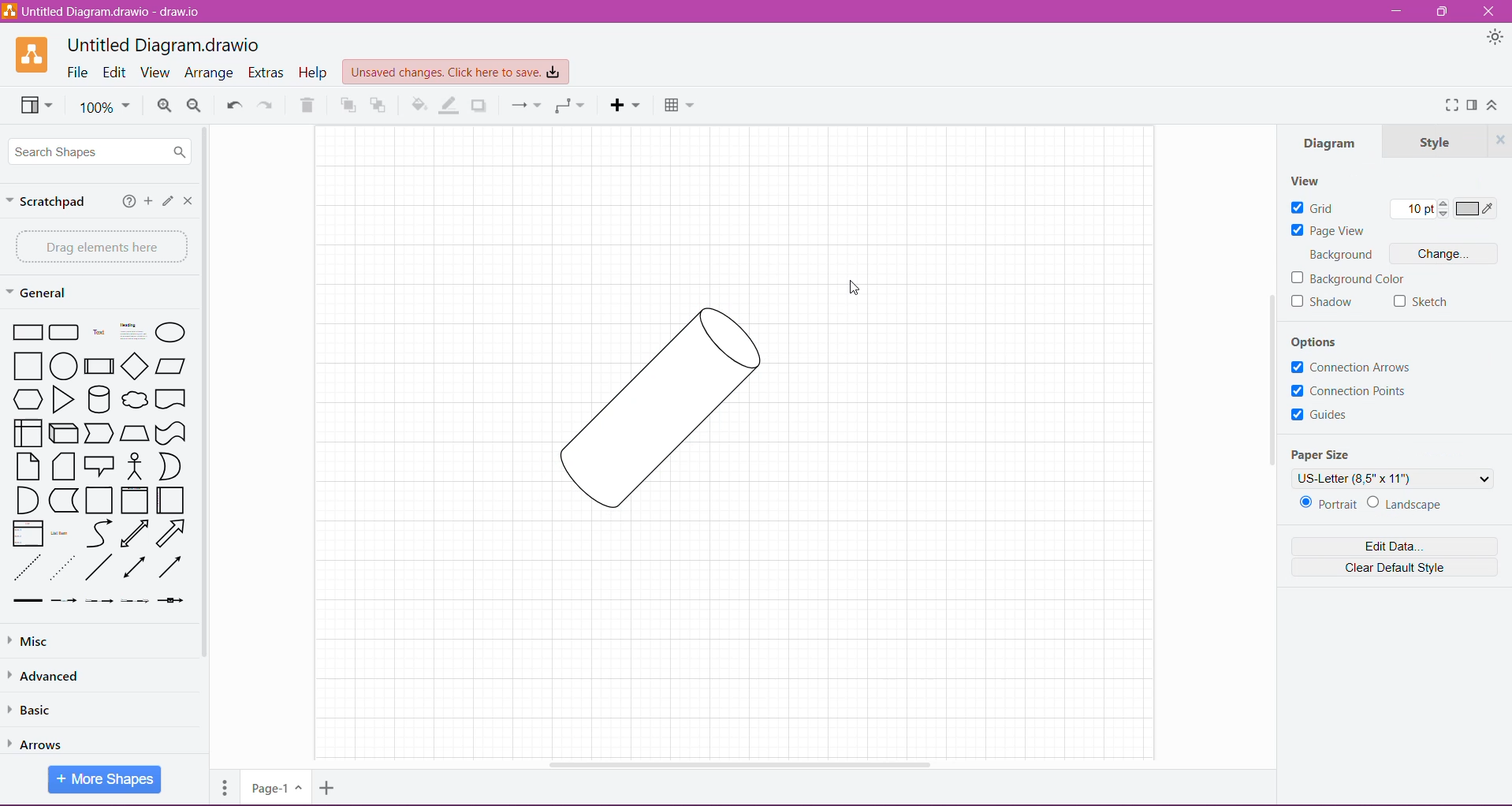  I want to click on Edit, so click(114, 72).